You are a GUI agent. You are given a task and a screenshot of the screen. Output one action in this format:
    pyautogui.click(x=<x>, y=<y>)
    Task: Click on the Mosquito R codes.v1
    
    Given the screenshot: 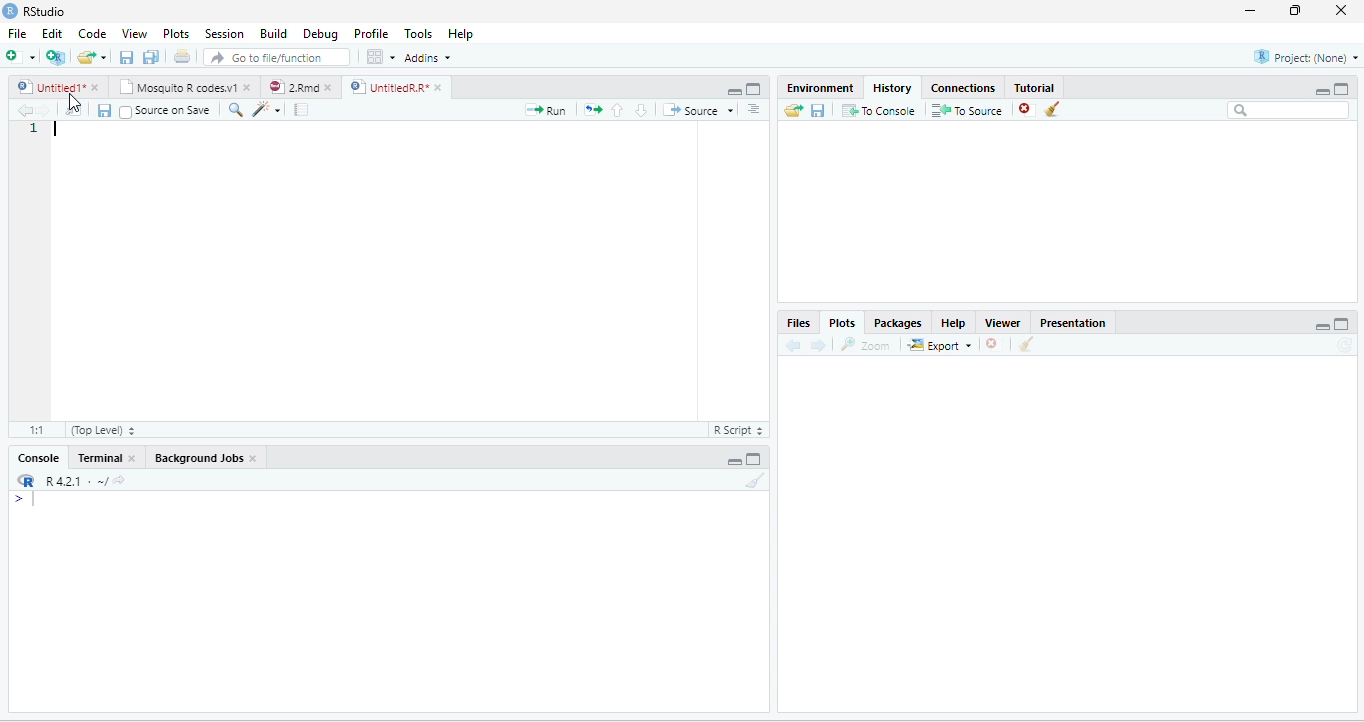 What is the action you would take?
    pyautogui.click(x=176, y=87)
    